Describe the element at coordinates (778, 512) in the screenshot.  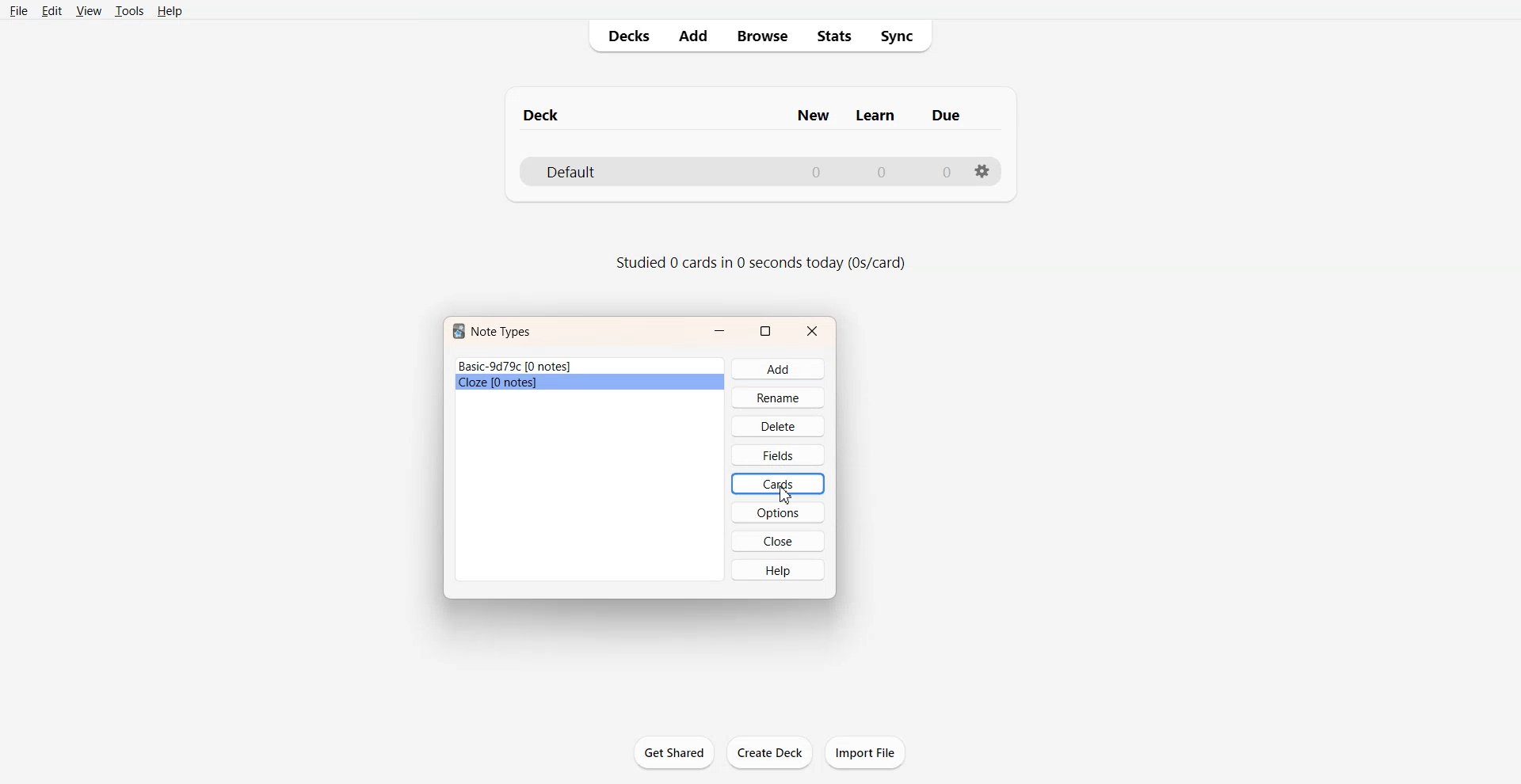
I see `Options` at that location.